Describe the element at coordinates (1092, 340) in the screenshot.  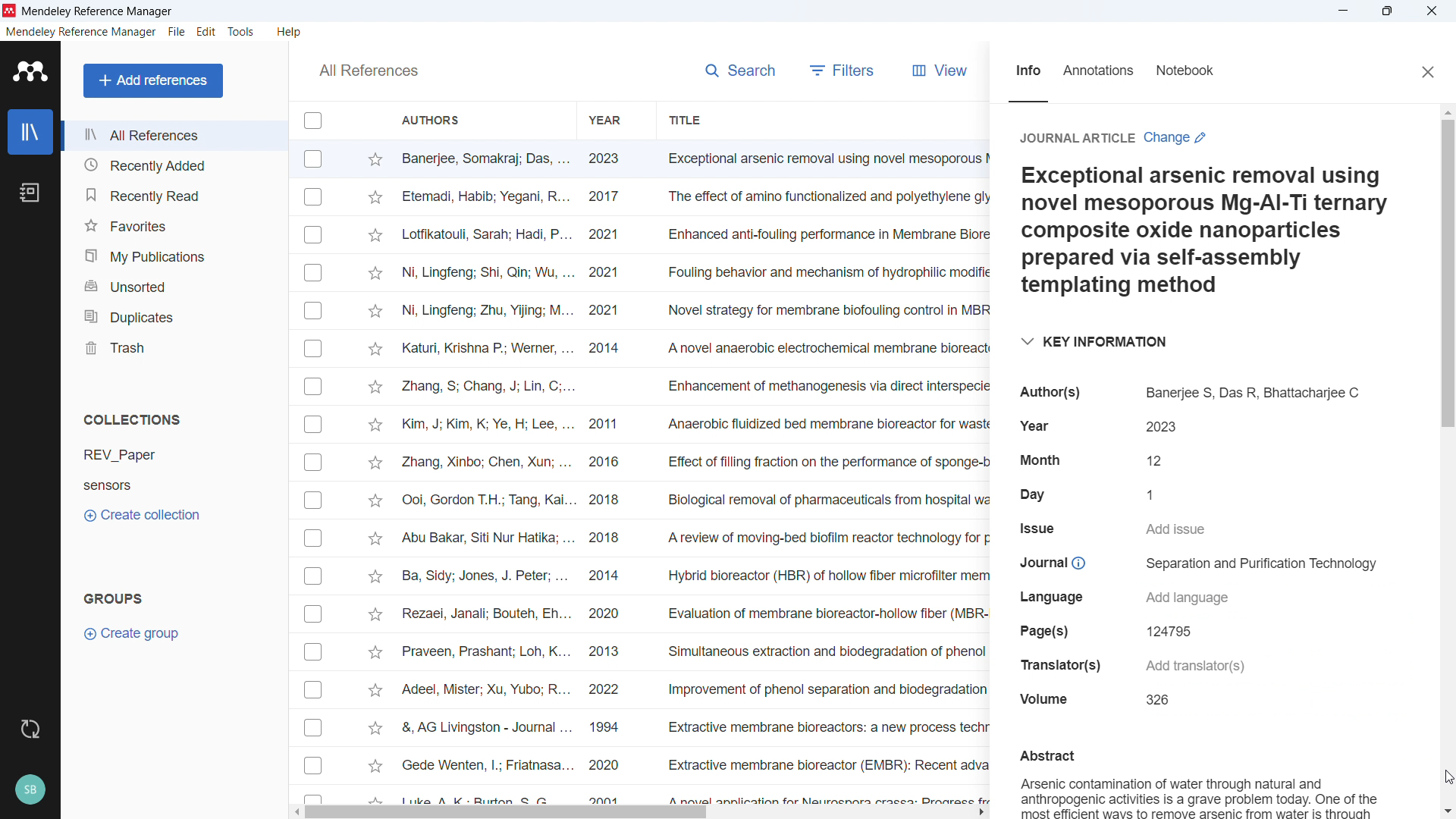
I see ` Key information ` at that location.